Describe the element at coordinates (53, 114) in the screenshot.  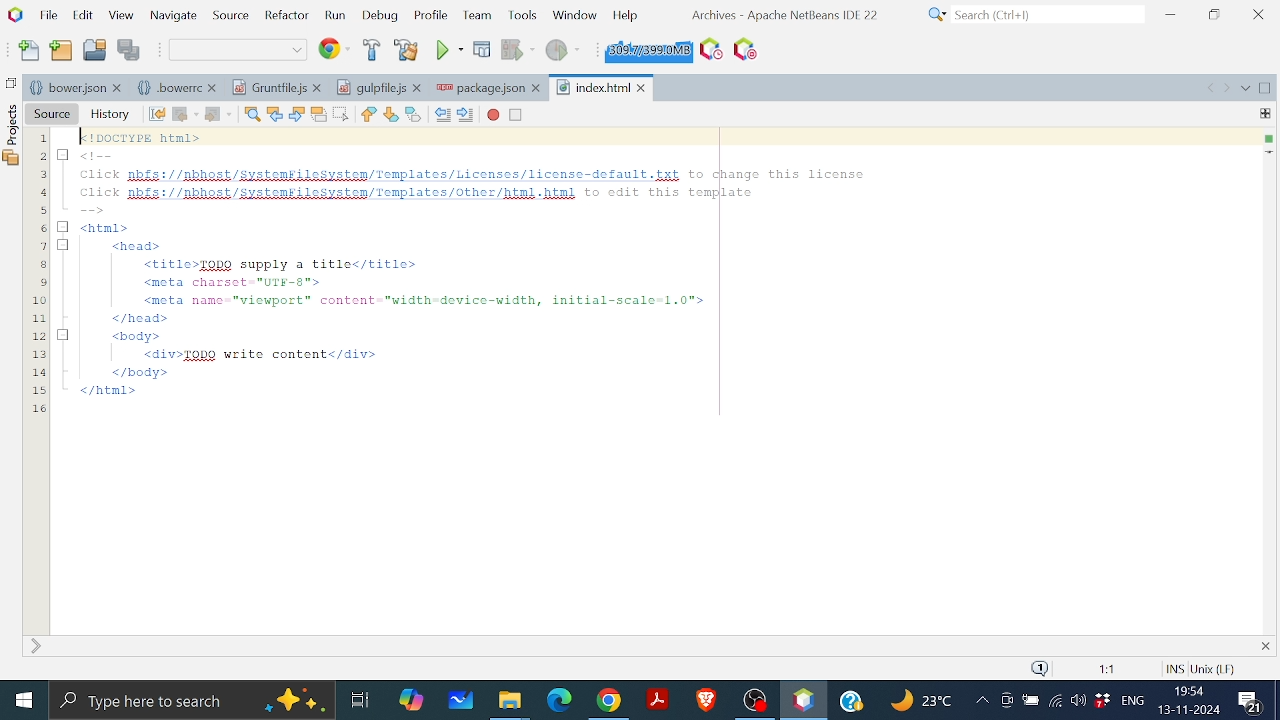
I see `Source` at that location.